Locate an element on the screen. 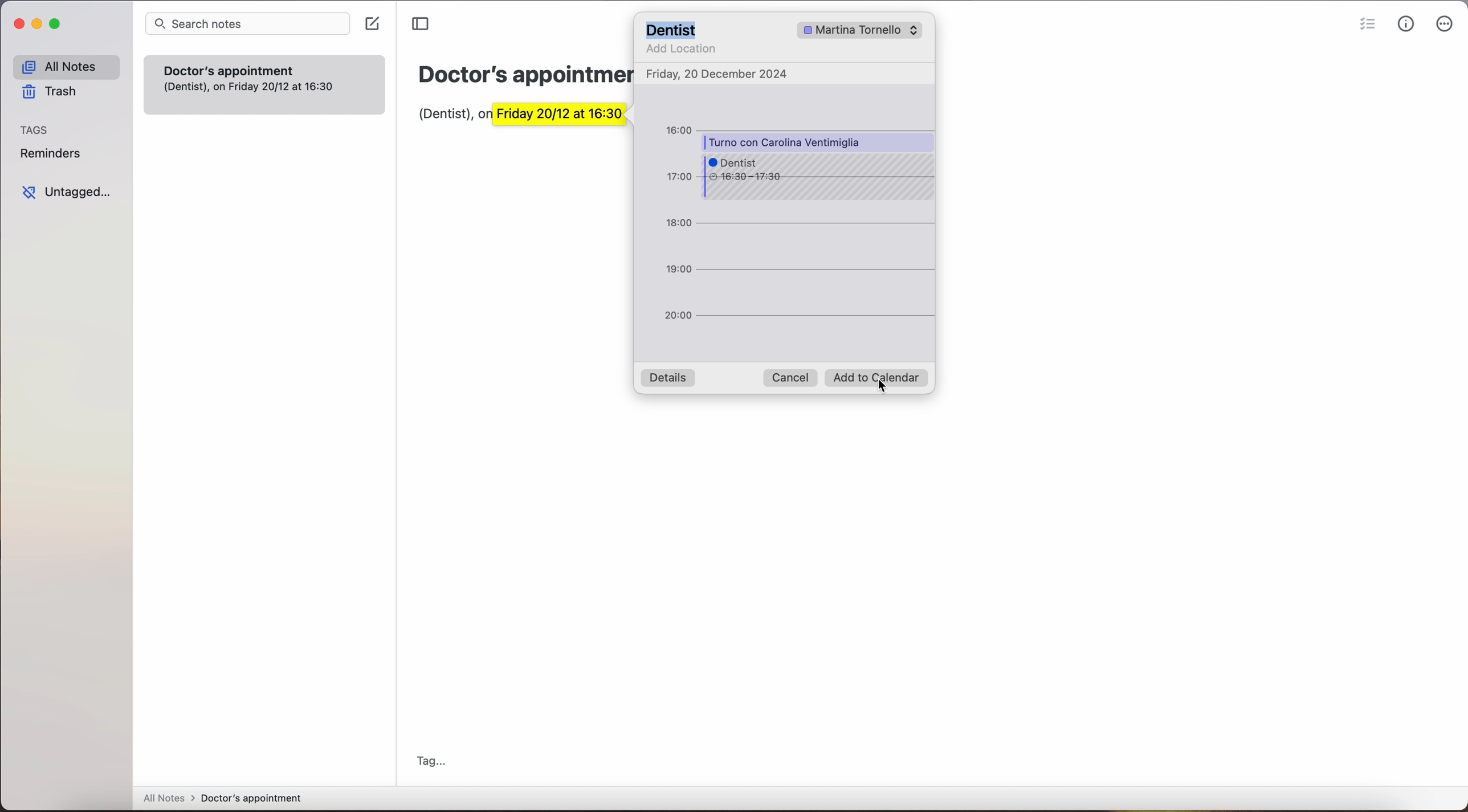 The width and height of the screenshot is (1468, 812). Dentist is located at coordinates (740, 160).